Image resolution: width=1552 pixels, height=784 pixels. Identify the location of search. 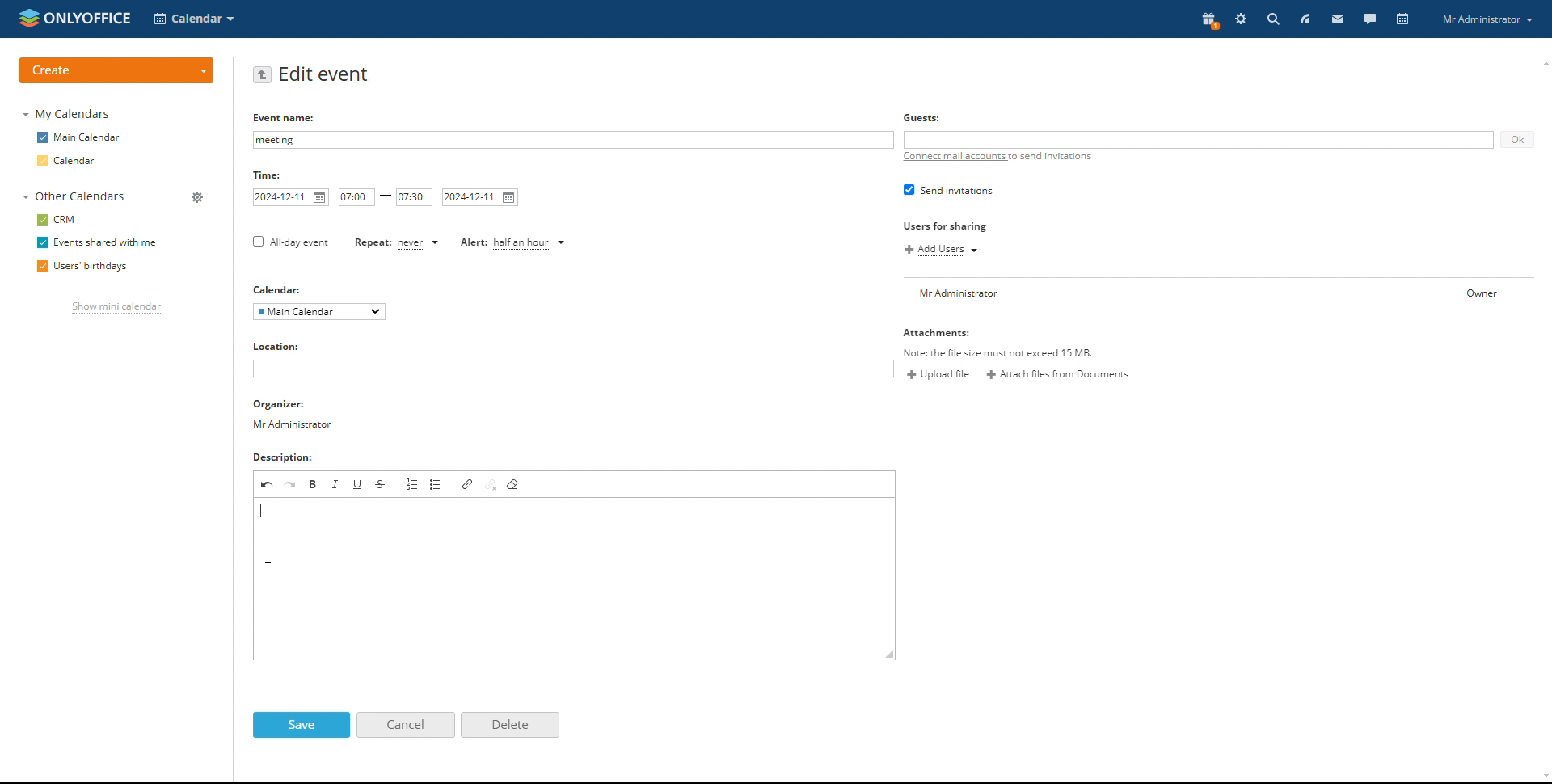
(1272, 19).